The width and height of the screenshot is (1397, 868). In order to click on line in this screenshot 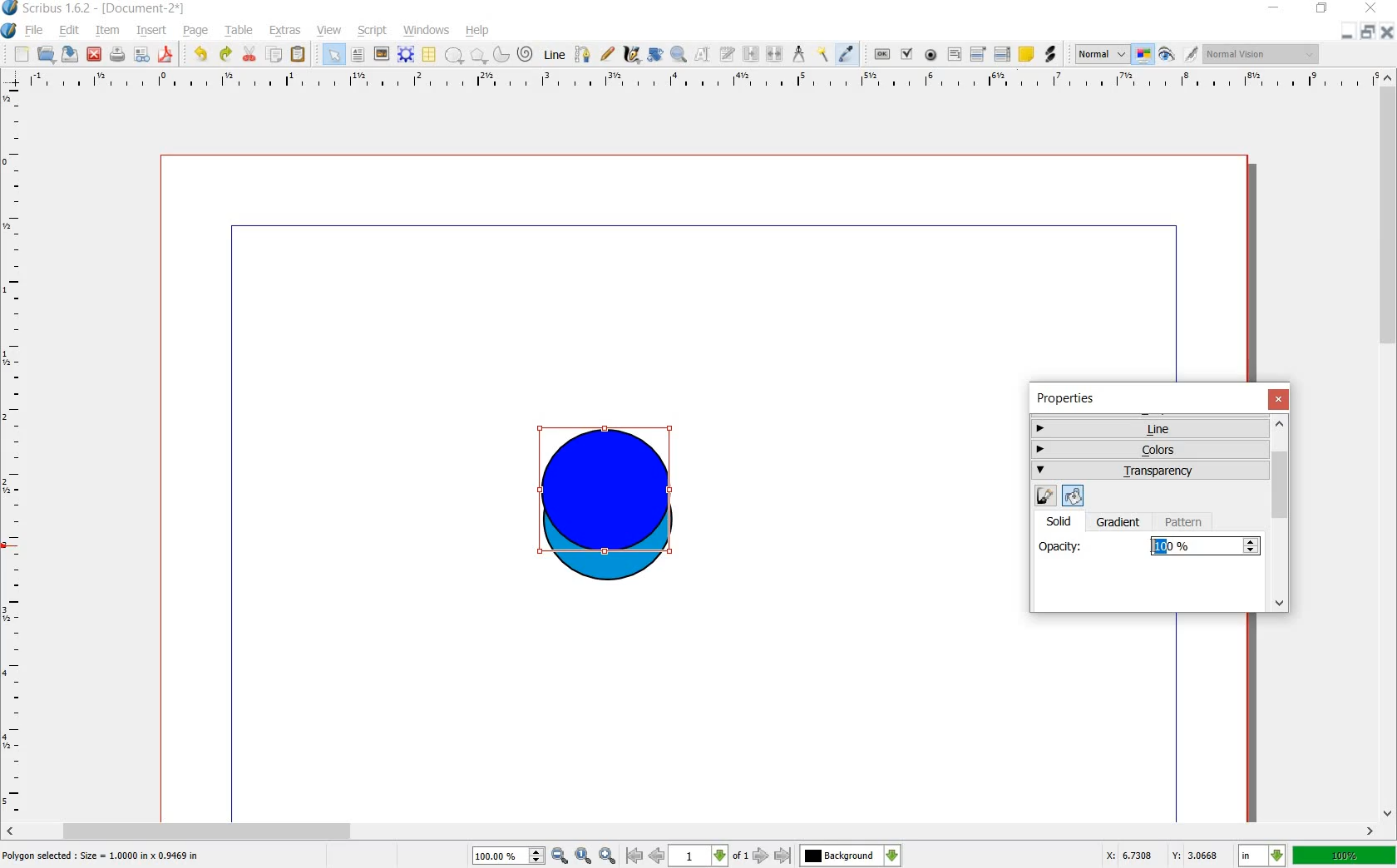, I will do `click(1148, 428)`.